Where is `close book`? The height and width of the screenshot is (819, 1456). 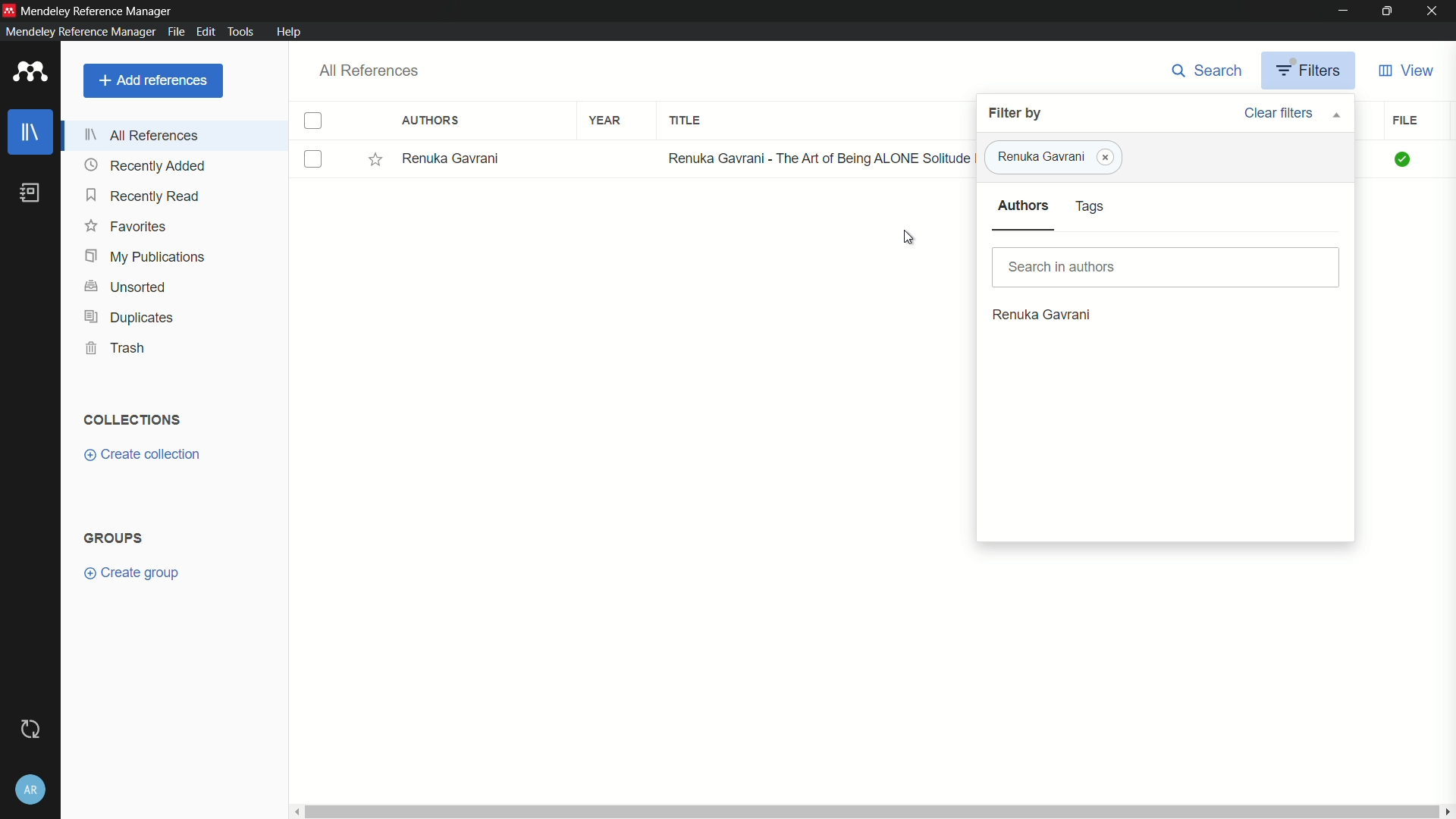
close book is located at coordinates (1106, 158).